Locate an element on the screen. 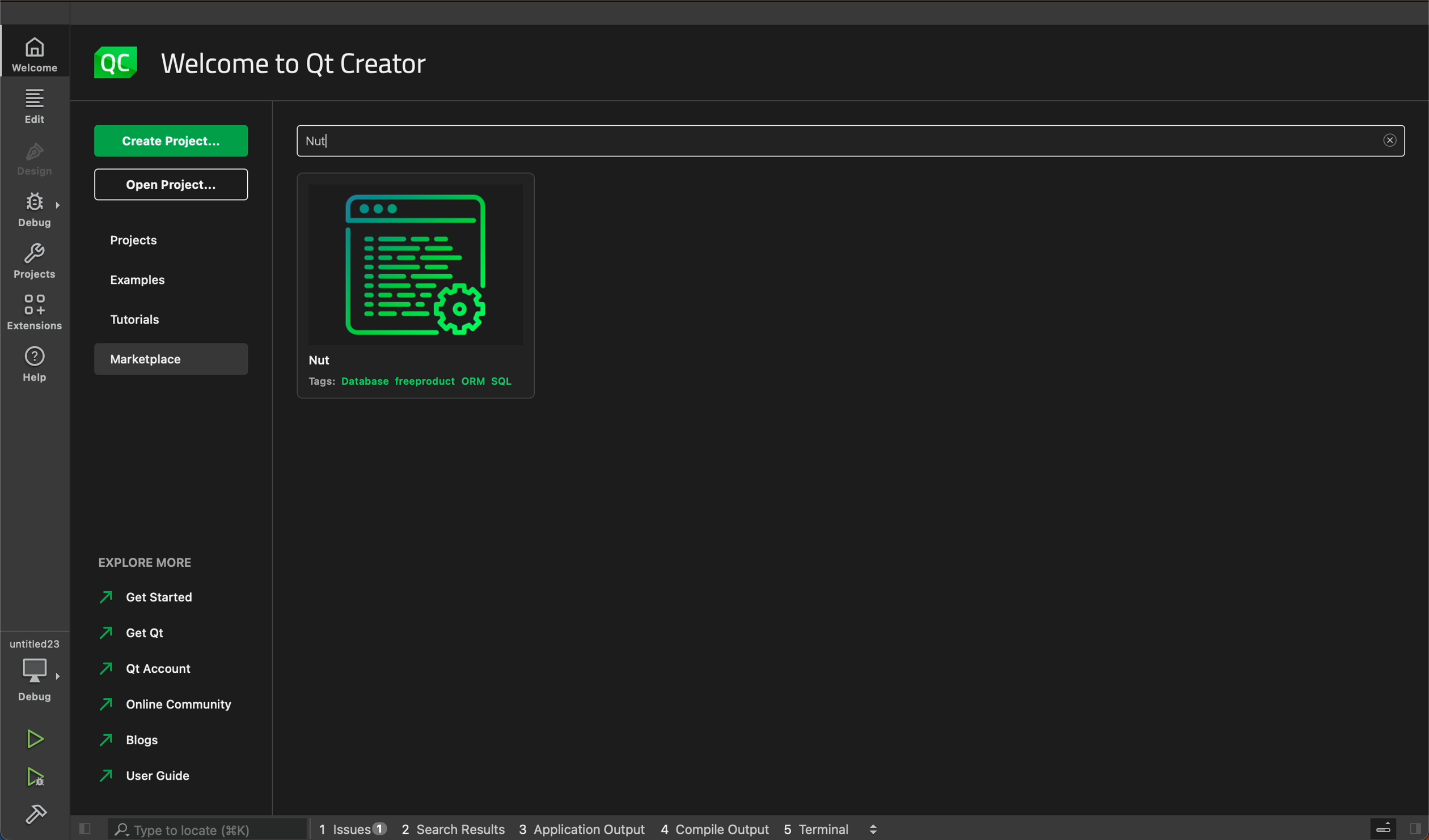  welcome is located at coordinates (301, 63).